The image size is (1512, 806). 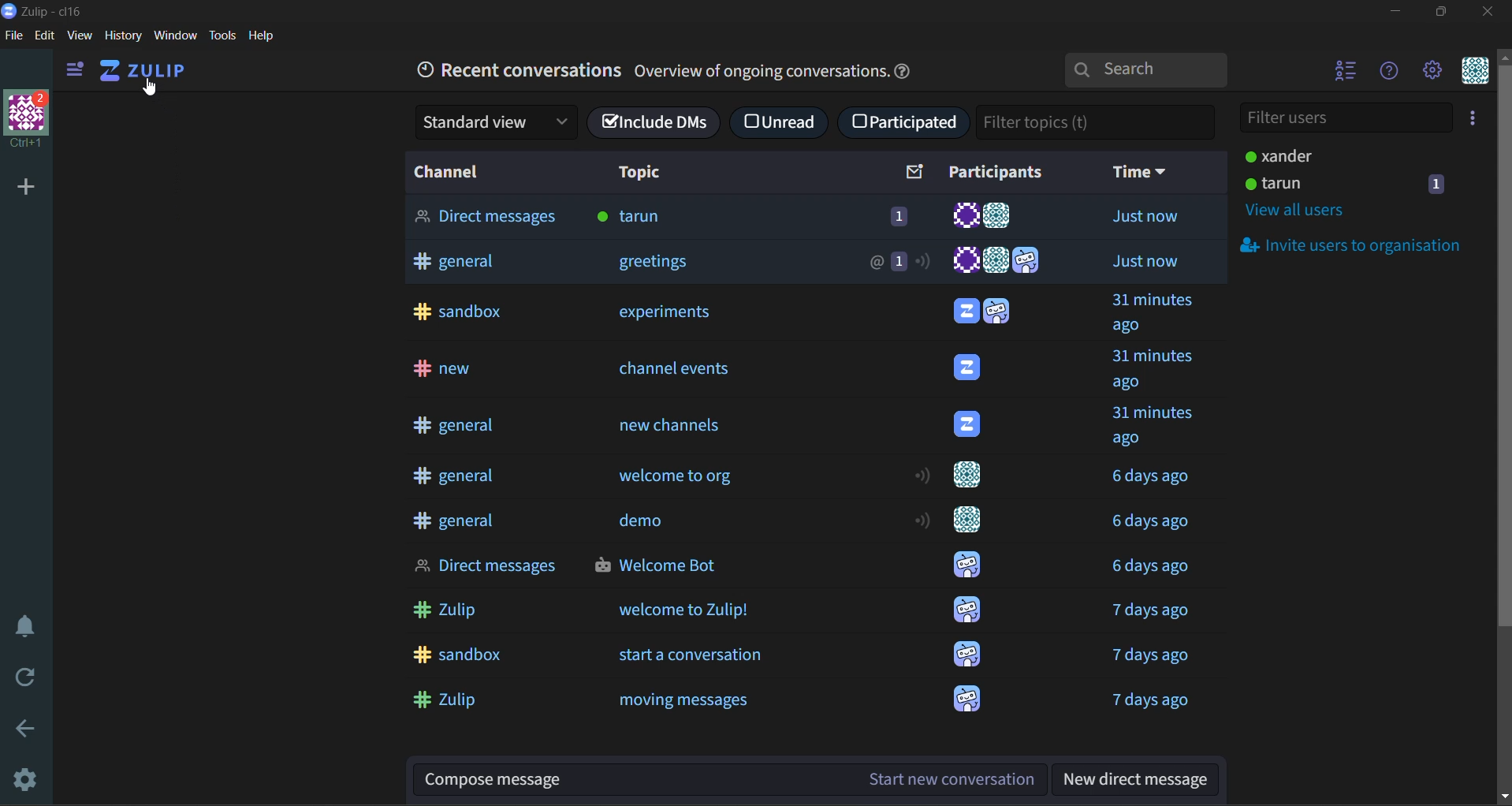 What do you see at coordinates (969, 475) in the screenshot?
I see `User` at bounding box center [969, 475].